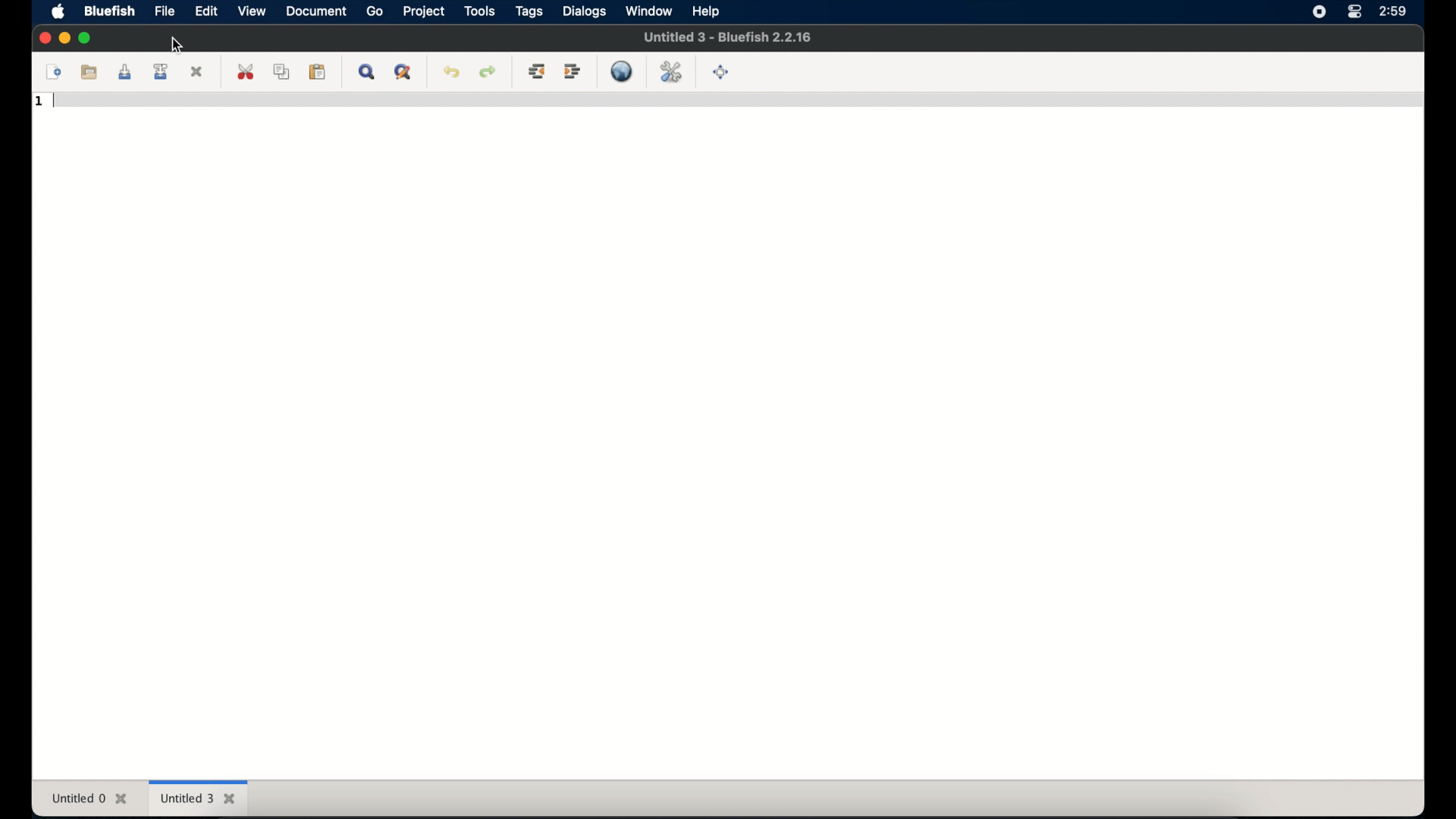 This screenshot has height=819, width=1456. I want to click on project, so click(425, 11).